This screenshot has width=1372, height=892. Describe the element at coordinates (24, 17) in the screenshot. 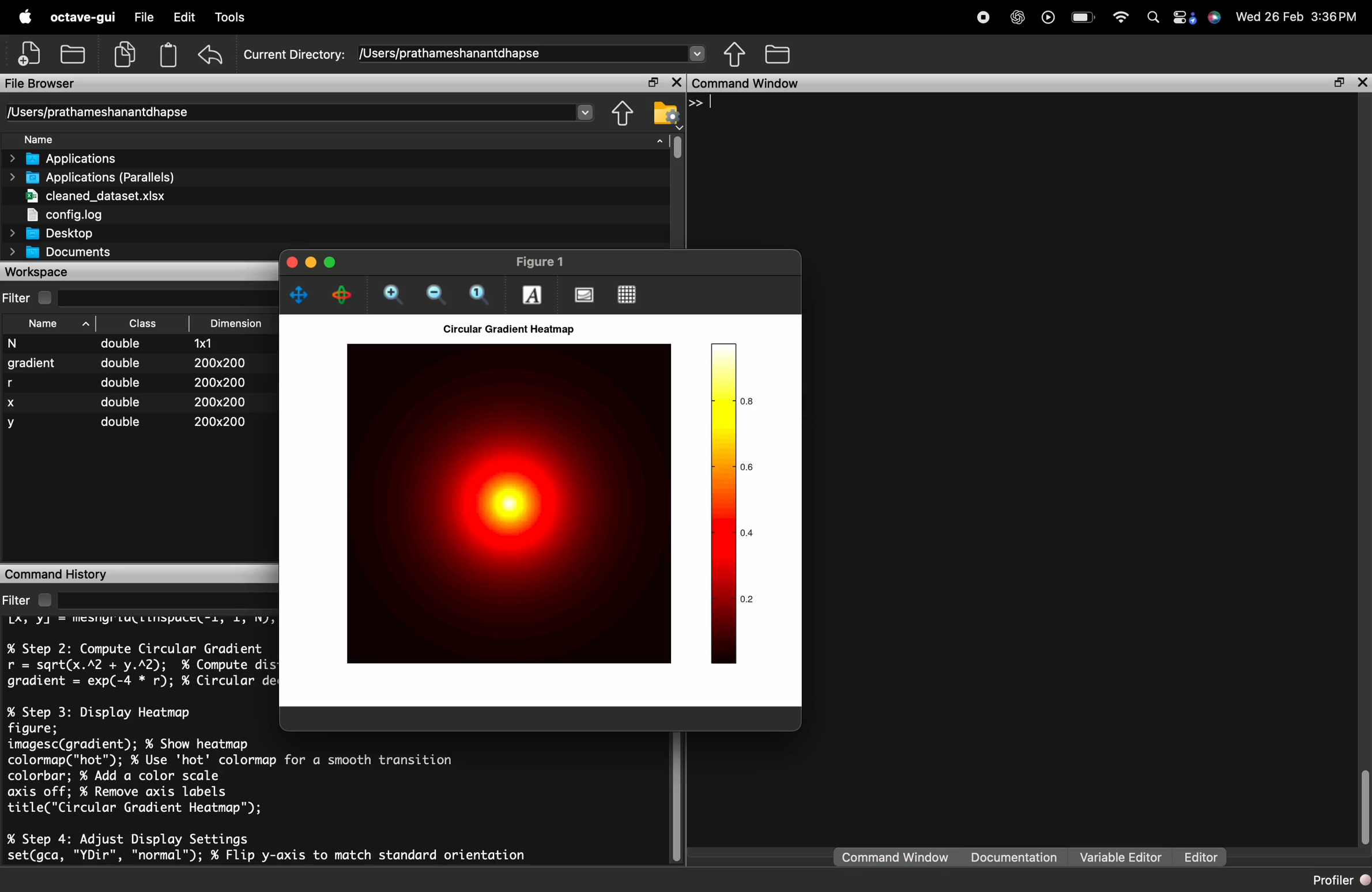

I see `apple` at that location.